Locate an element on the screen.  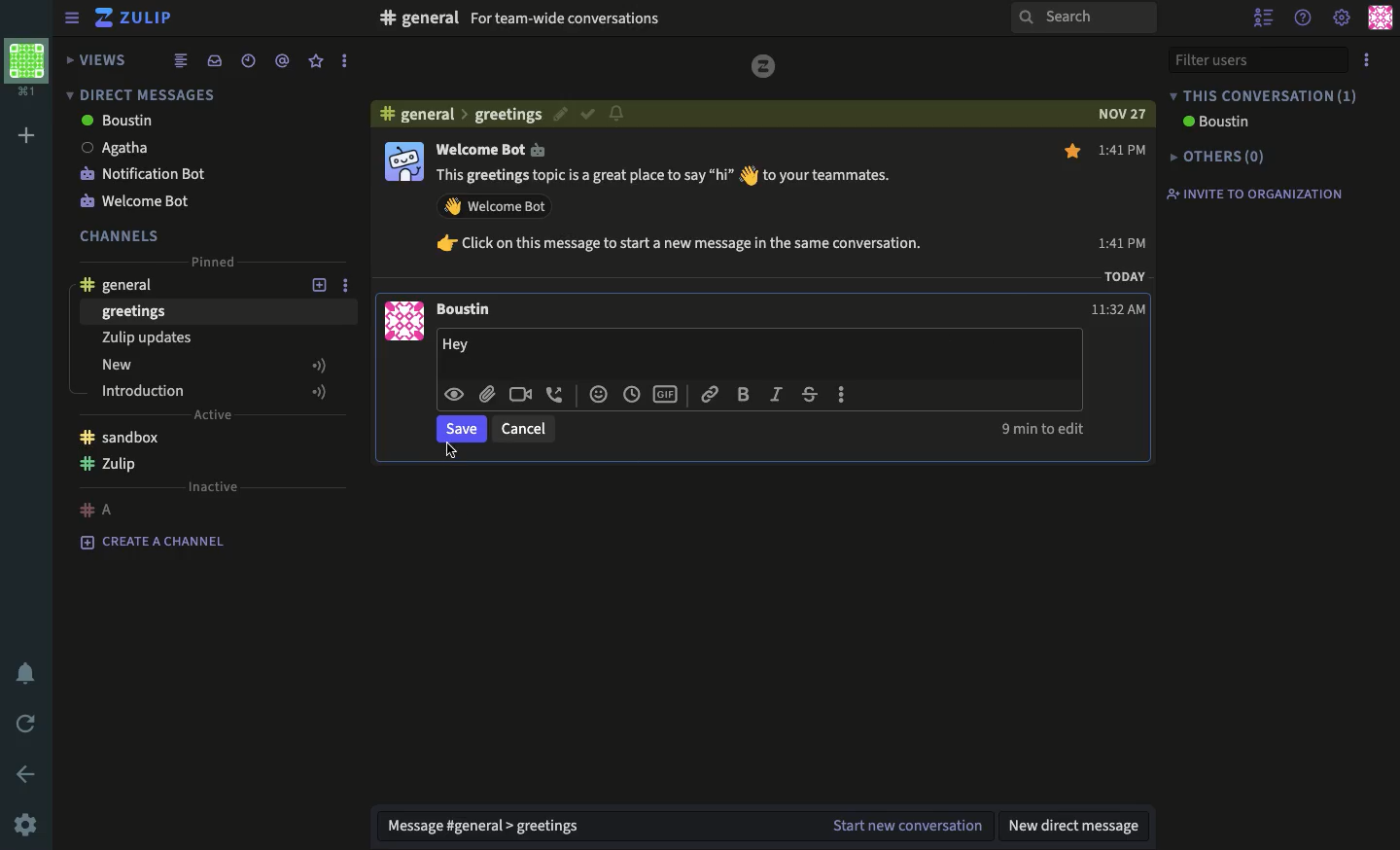
search is located at coordinates (1082, 17).